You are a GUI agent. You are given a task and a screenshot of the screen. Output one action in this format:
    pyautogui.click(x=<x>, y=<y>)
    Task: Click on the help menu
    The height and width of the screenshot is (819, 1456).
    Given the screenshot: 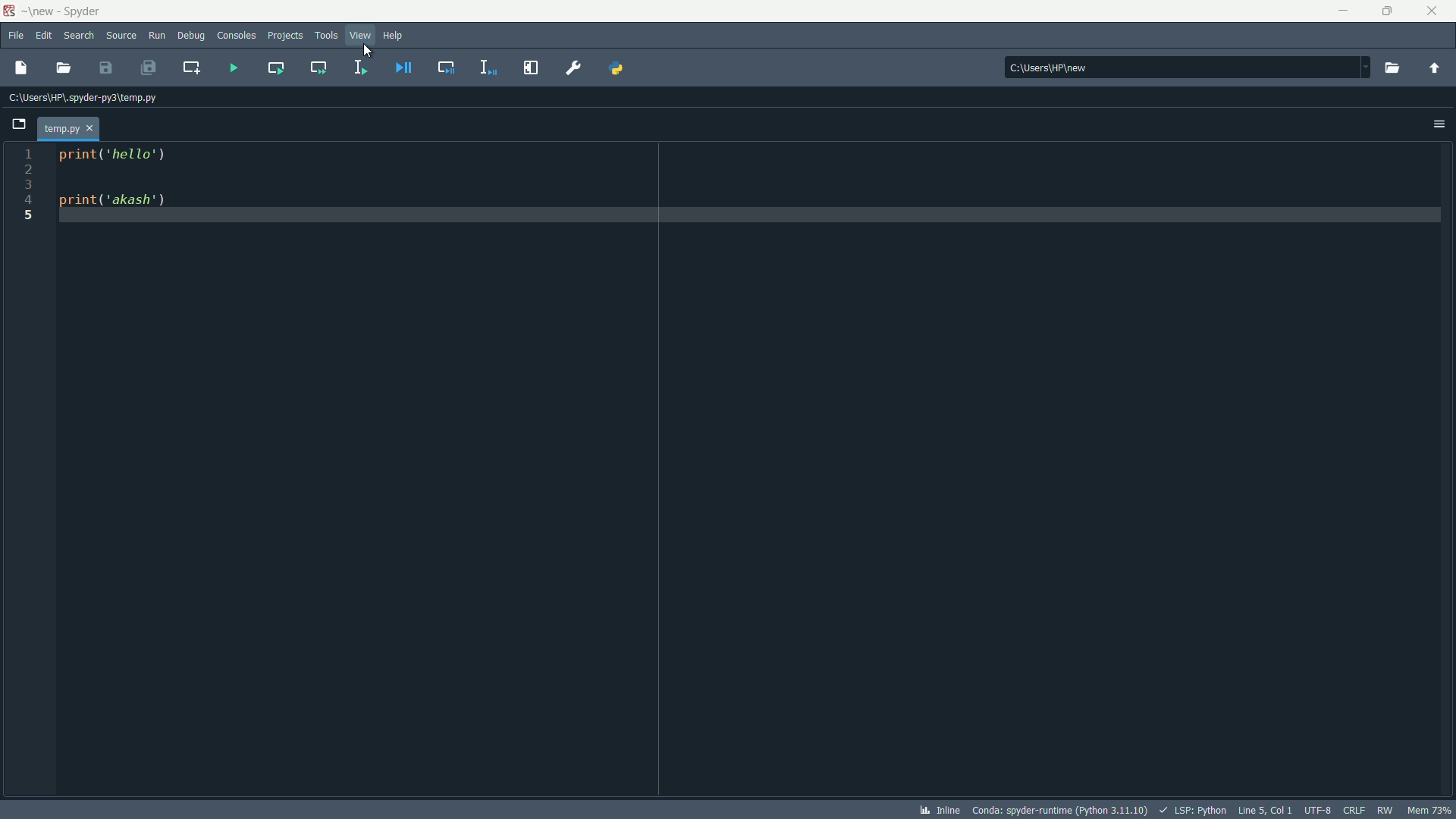 What is the action you would take?
    pyautogui.click(x=391, y=36)
    